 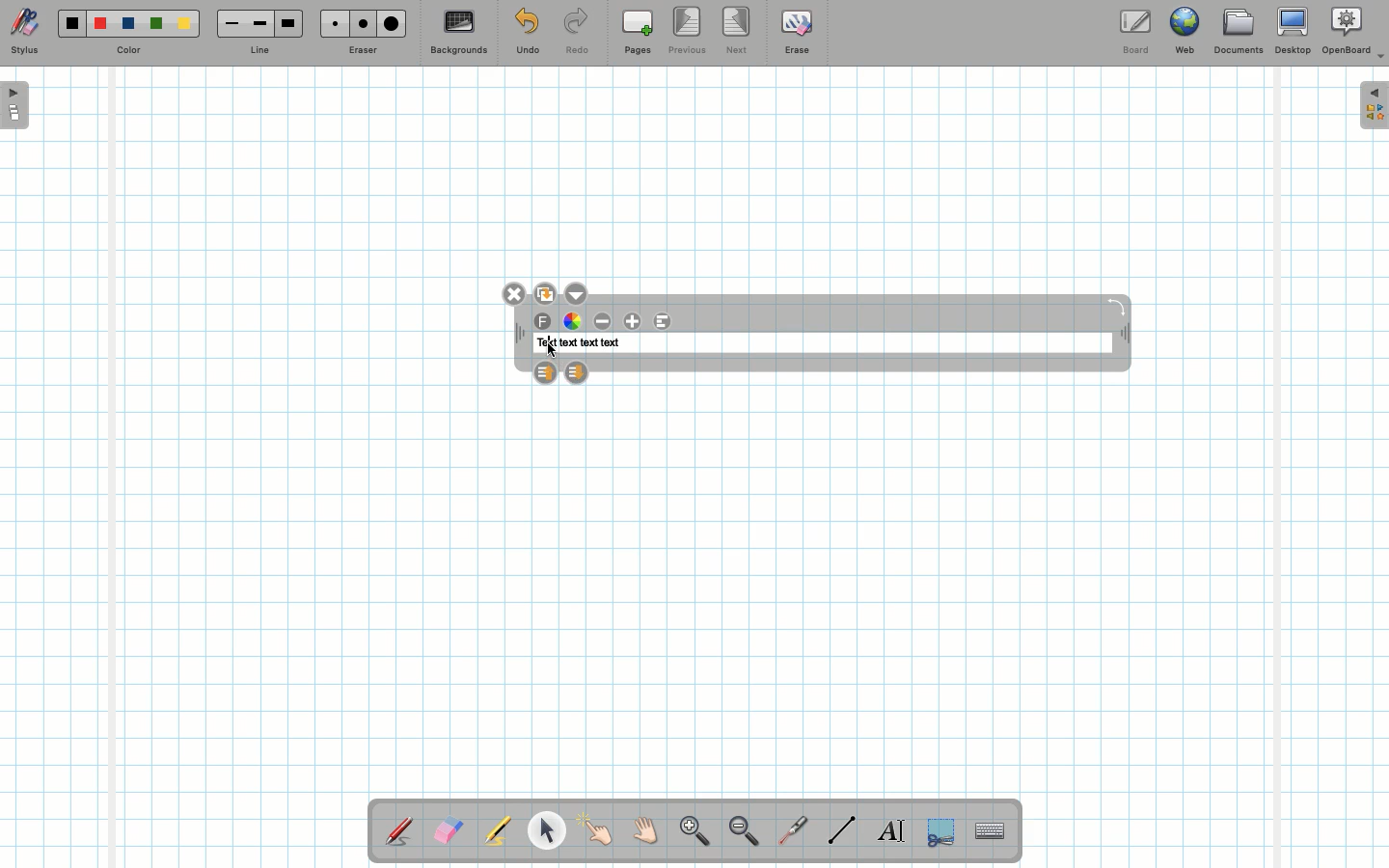 I want to click on Blue, so click(x=129, y=24).